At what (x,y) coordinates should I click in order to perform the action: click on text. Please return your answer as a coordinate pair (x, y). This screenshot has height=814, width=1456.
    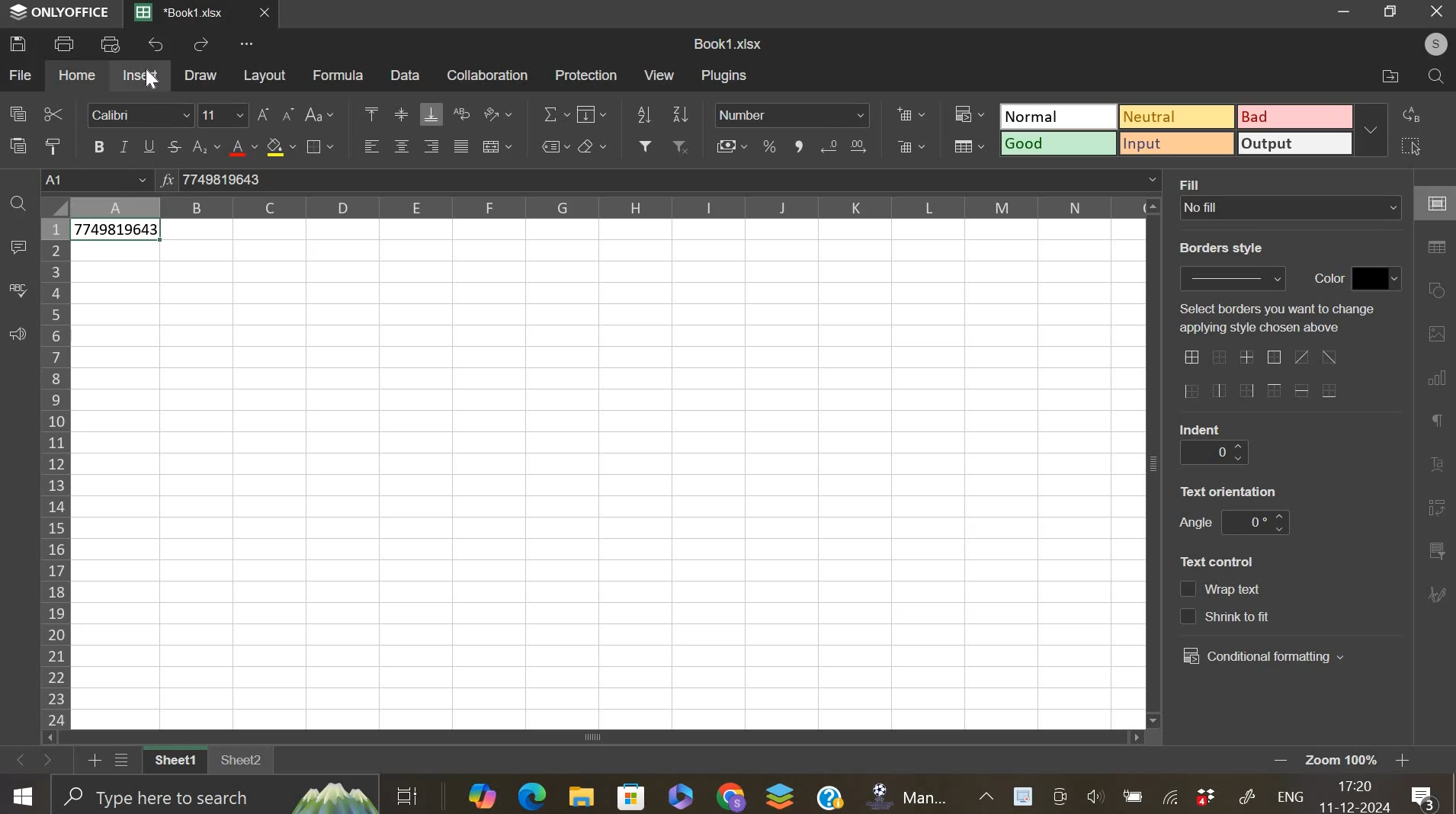
    Looking at the image, I should click on (1195, 524).